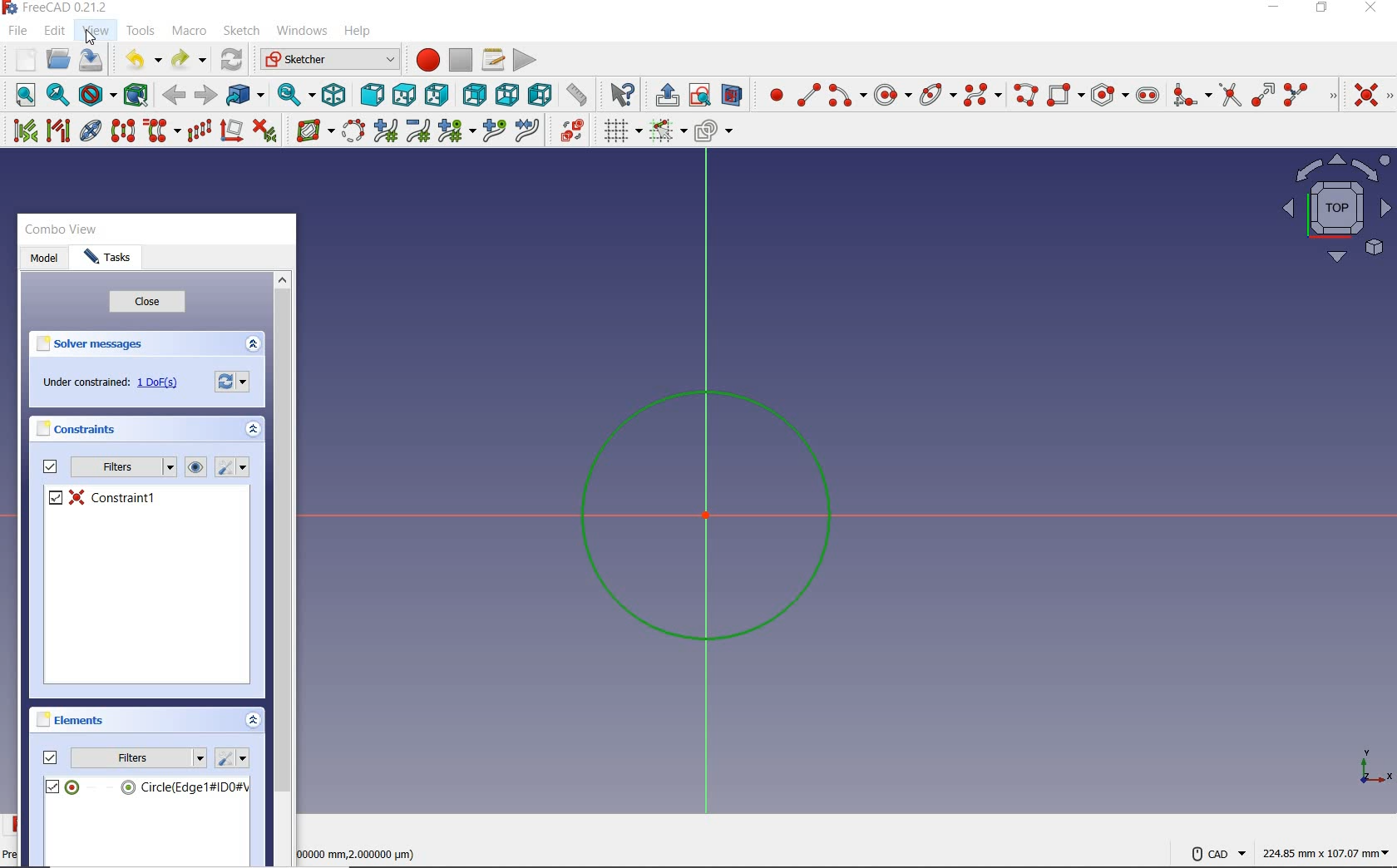  What do you see at coordinates (1109, 94) in the screenshot?
I see `create regular polygon` at bounding box center [1109, 94].